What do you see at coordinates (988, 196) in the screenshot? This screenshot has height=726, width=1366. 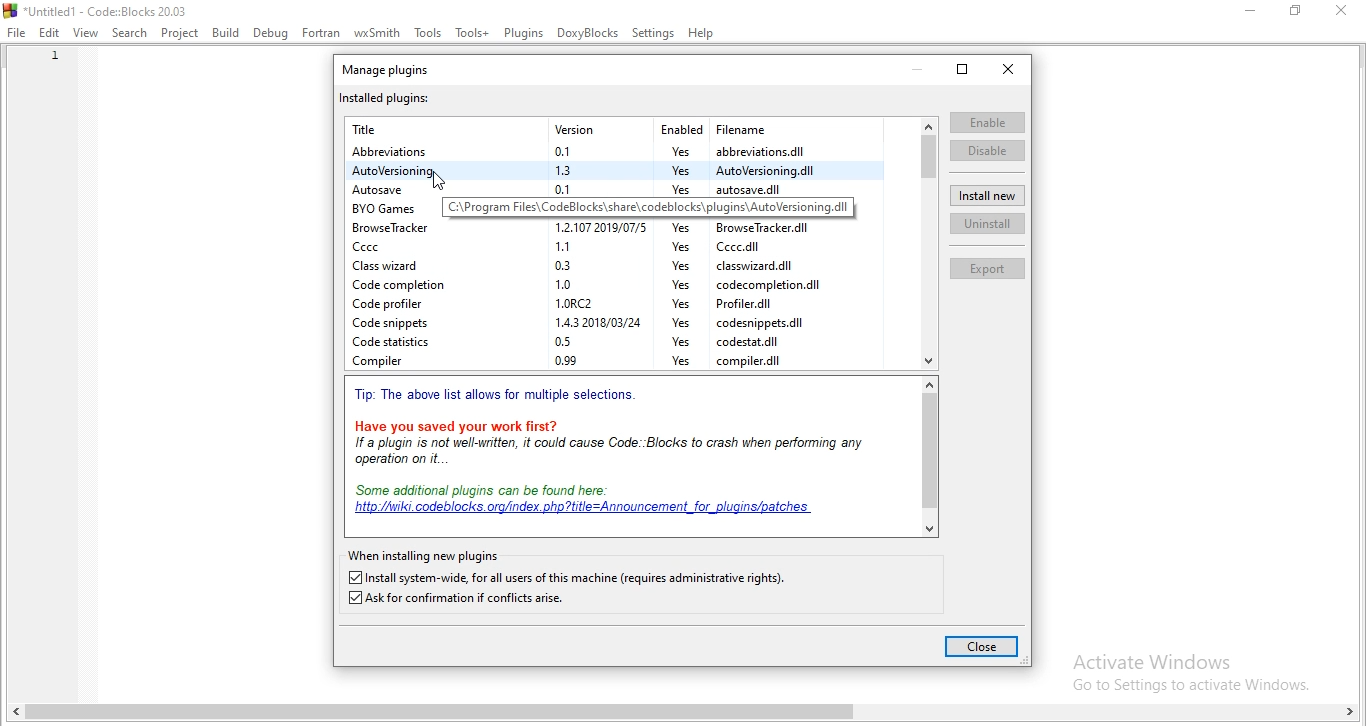 I see `install new` at bounding box center [988, 196].